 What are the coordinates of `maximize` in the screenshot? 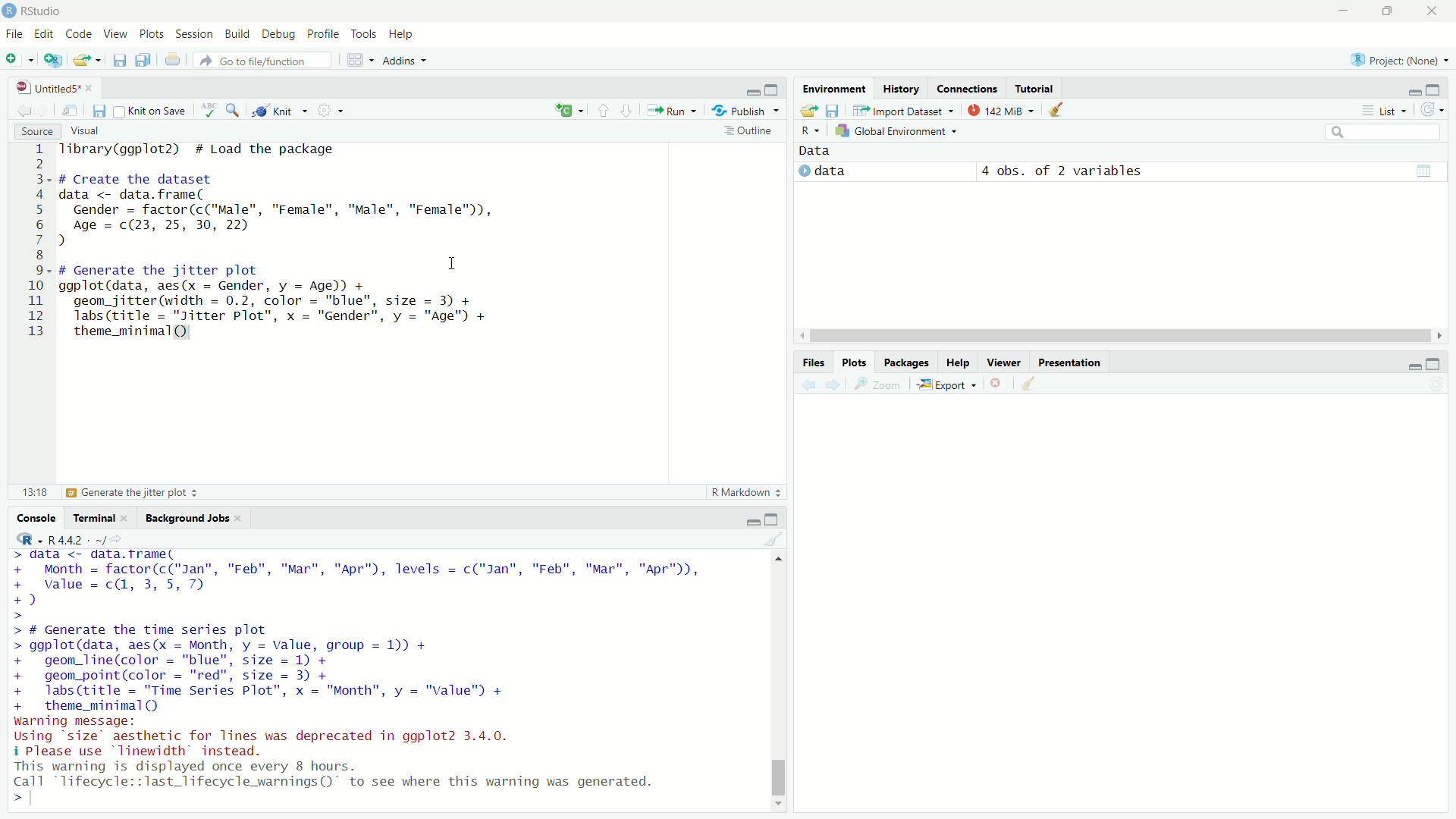 It's located at (1387, 10).